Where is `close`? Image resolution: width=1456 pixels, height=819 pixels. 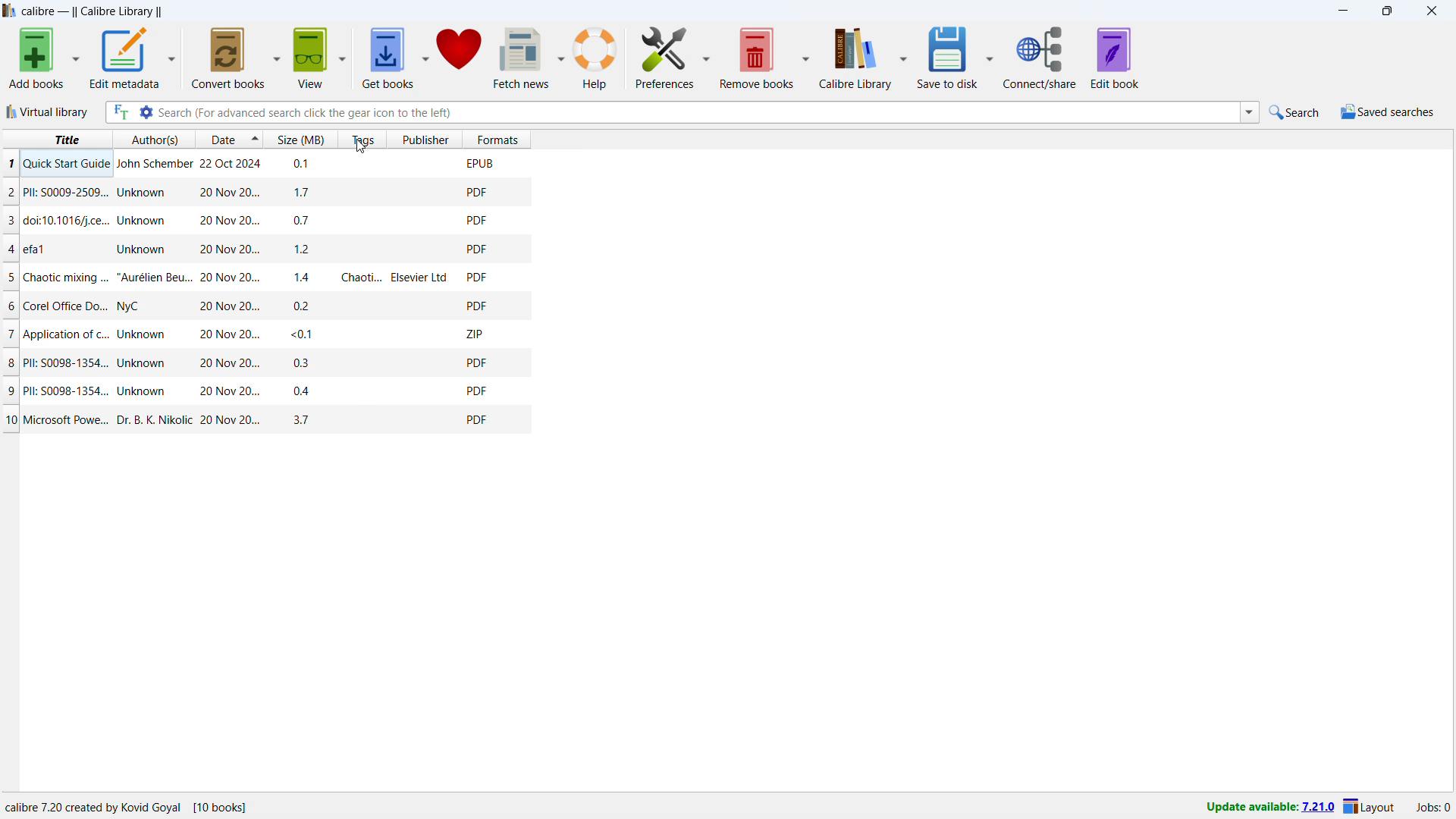 close is located at coordinates (1431, 11).